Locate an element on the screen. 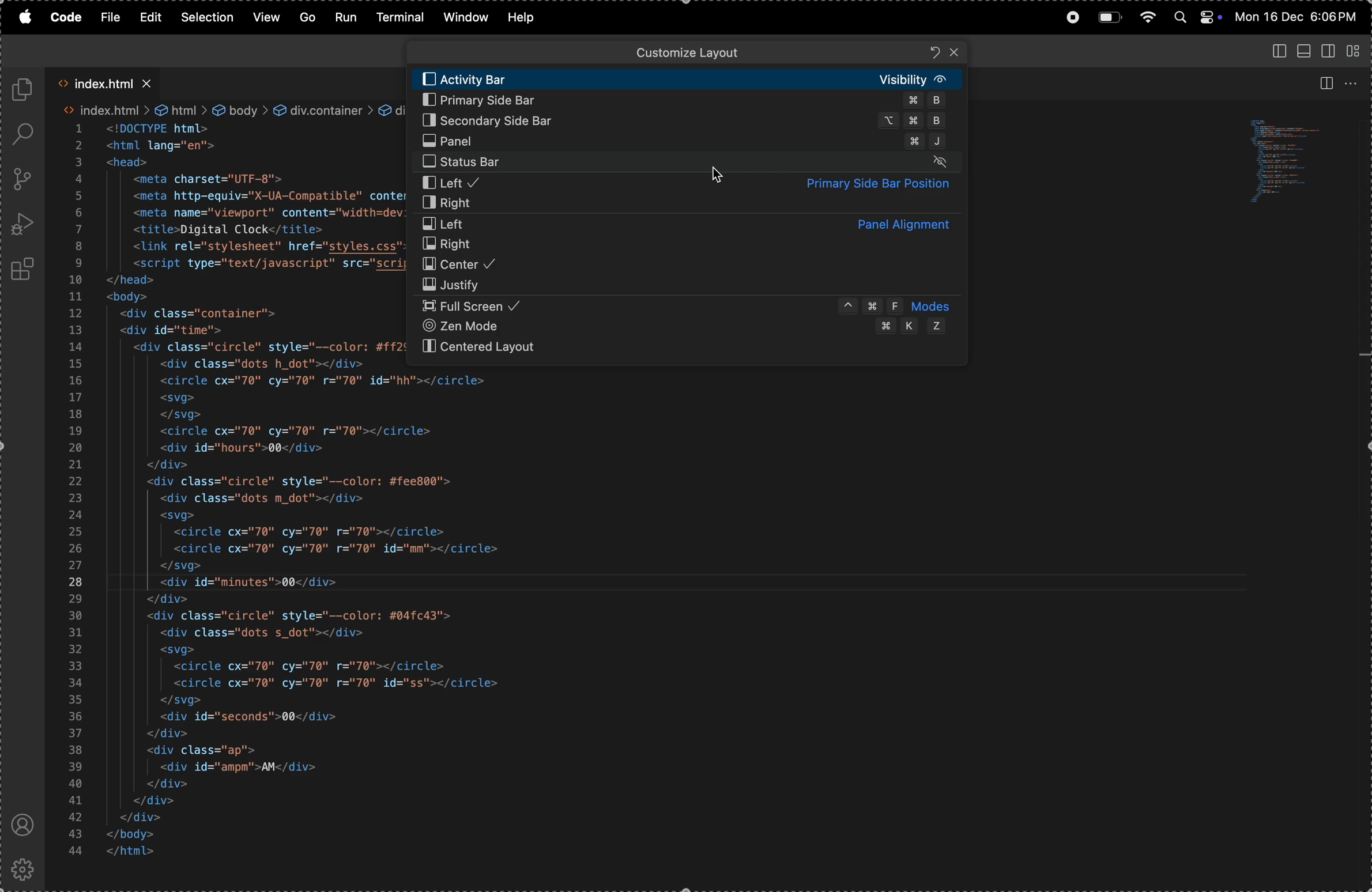 The image size is (1372, 892). apple menu is located at coordinates (22, 17).